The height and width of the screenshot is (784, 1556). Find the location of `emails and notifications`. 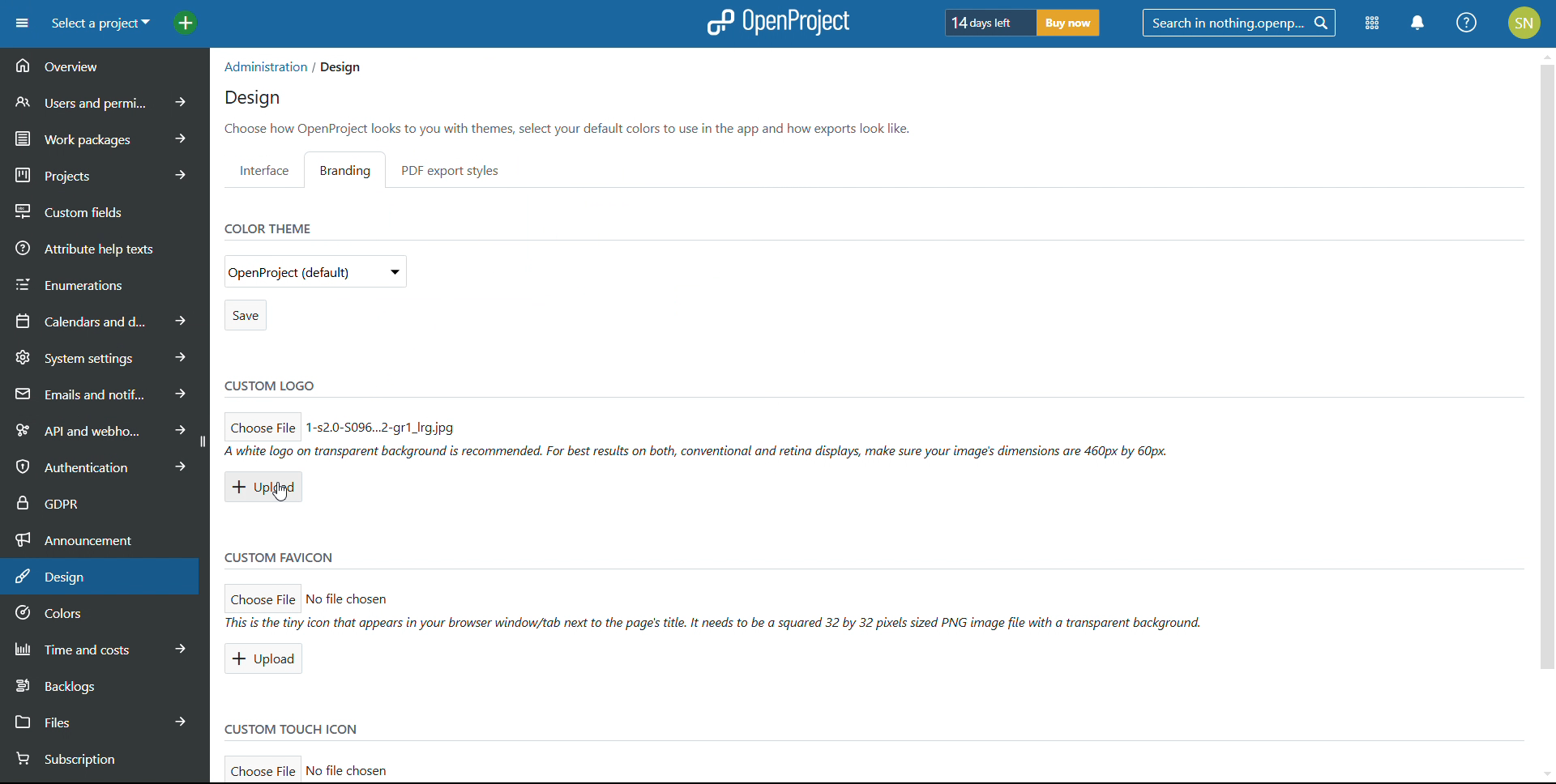

emails and notifications is located at coordinates (101, 393).